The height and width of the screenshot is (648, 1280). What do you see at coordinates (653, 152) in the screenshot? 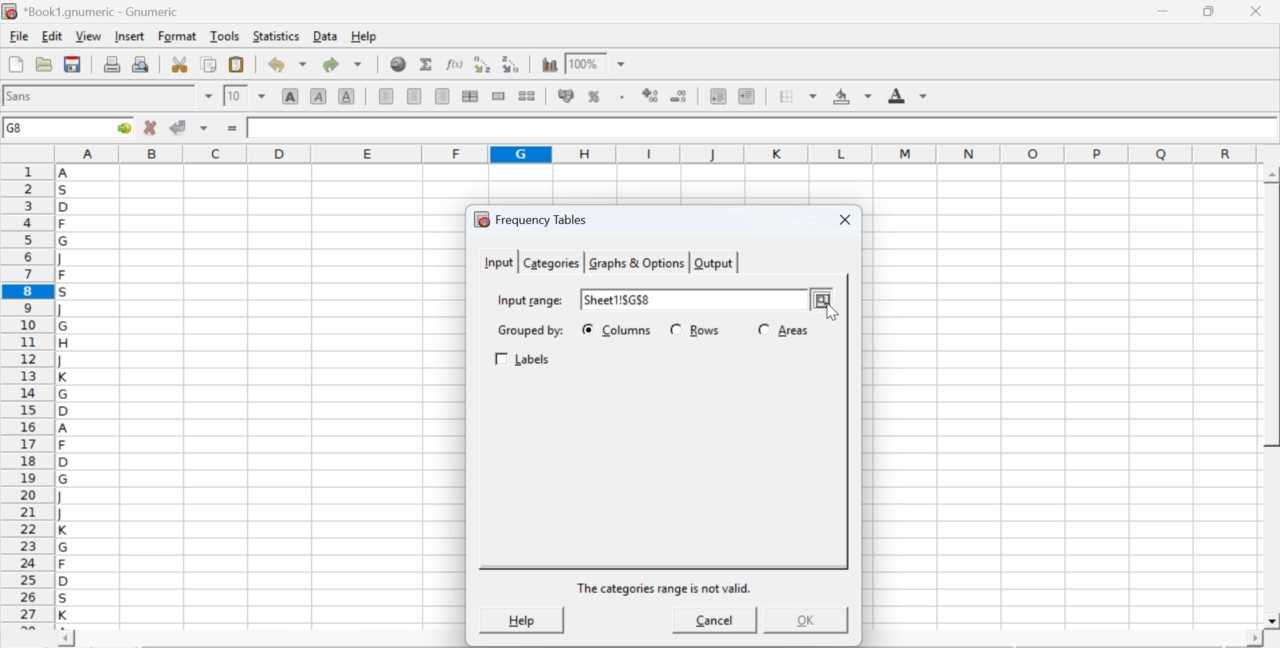
I see `column names` at bounding box center [653, 152].